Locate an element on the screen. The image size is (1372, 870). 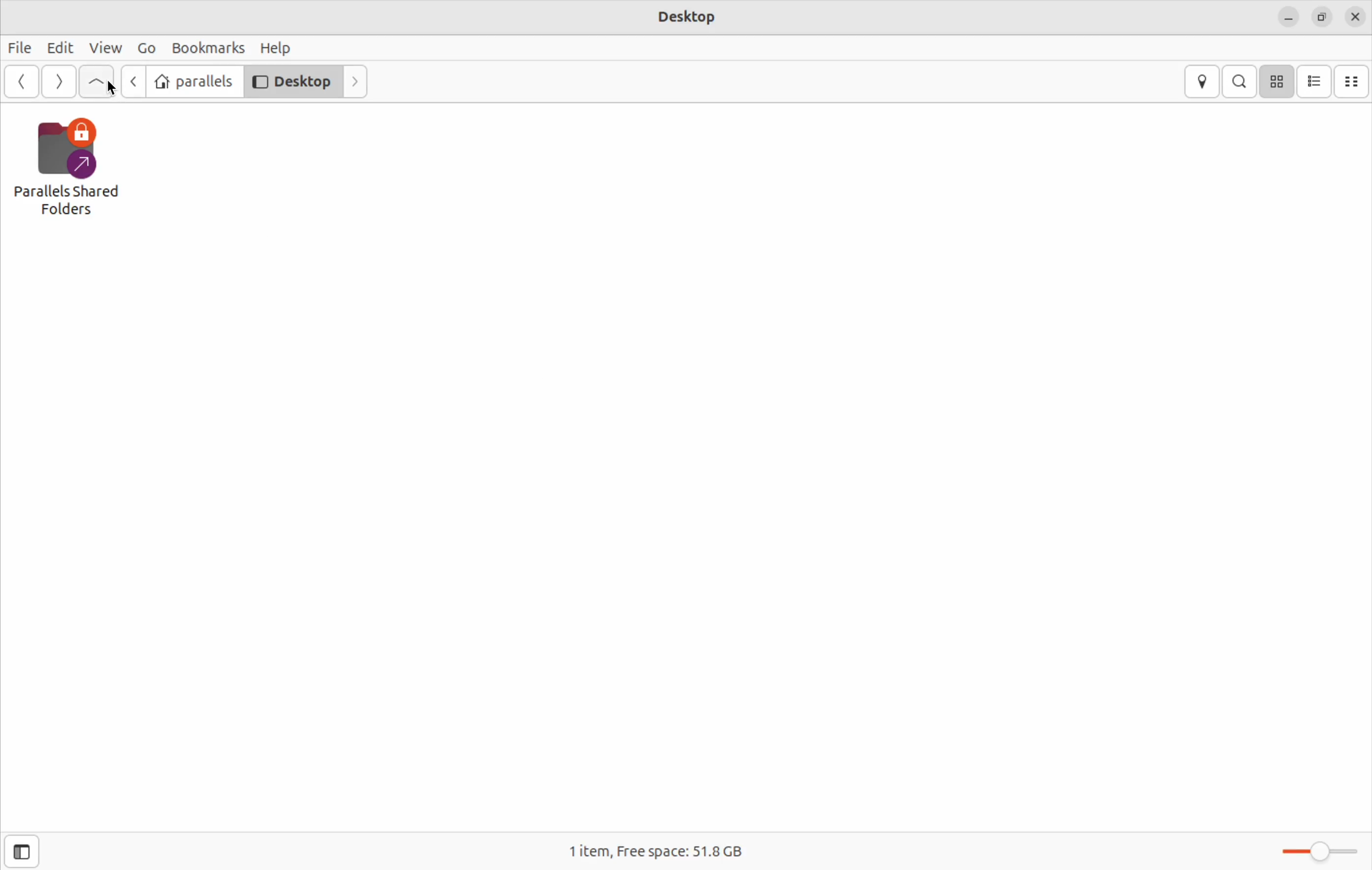
list view is located at coordinates (1314, 81).